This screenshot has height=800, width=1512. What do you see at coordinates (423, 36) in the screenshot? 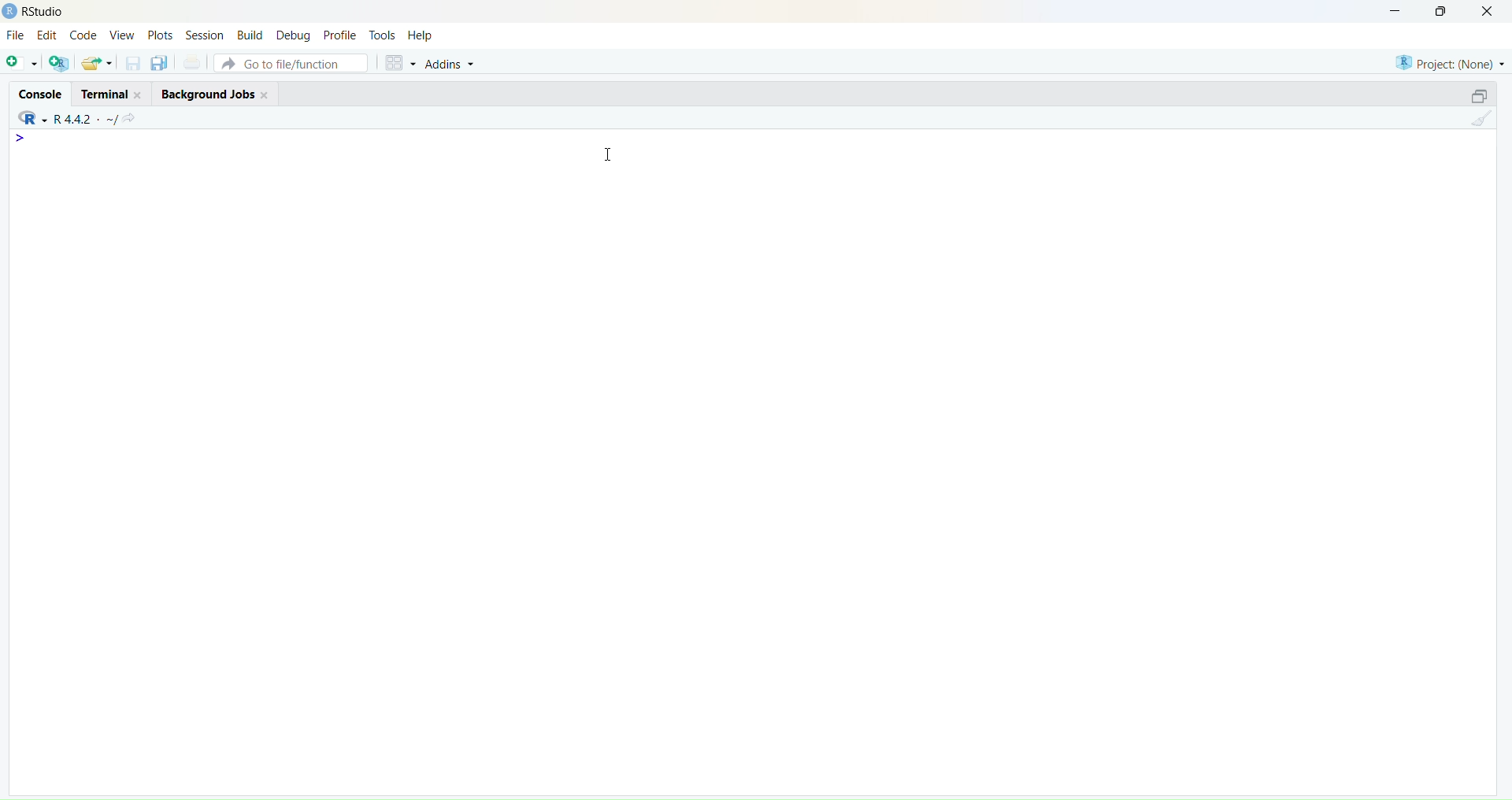
I see `Help` at bounding box center [423, 36].